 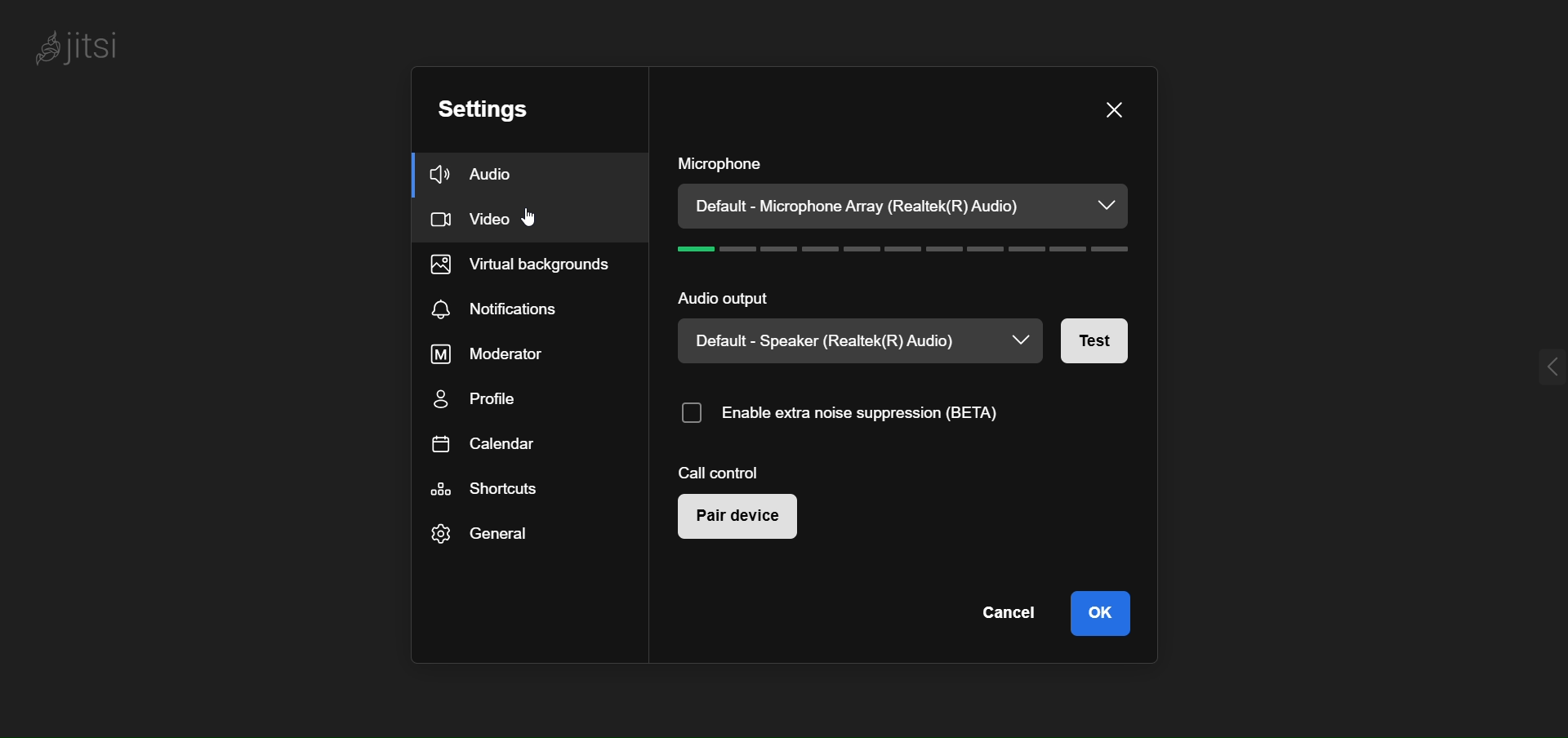 I want to click on shortcut, so click(x=494, y=489).